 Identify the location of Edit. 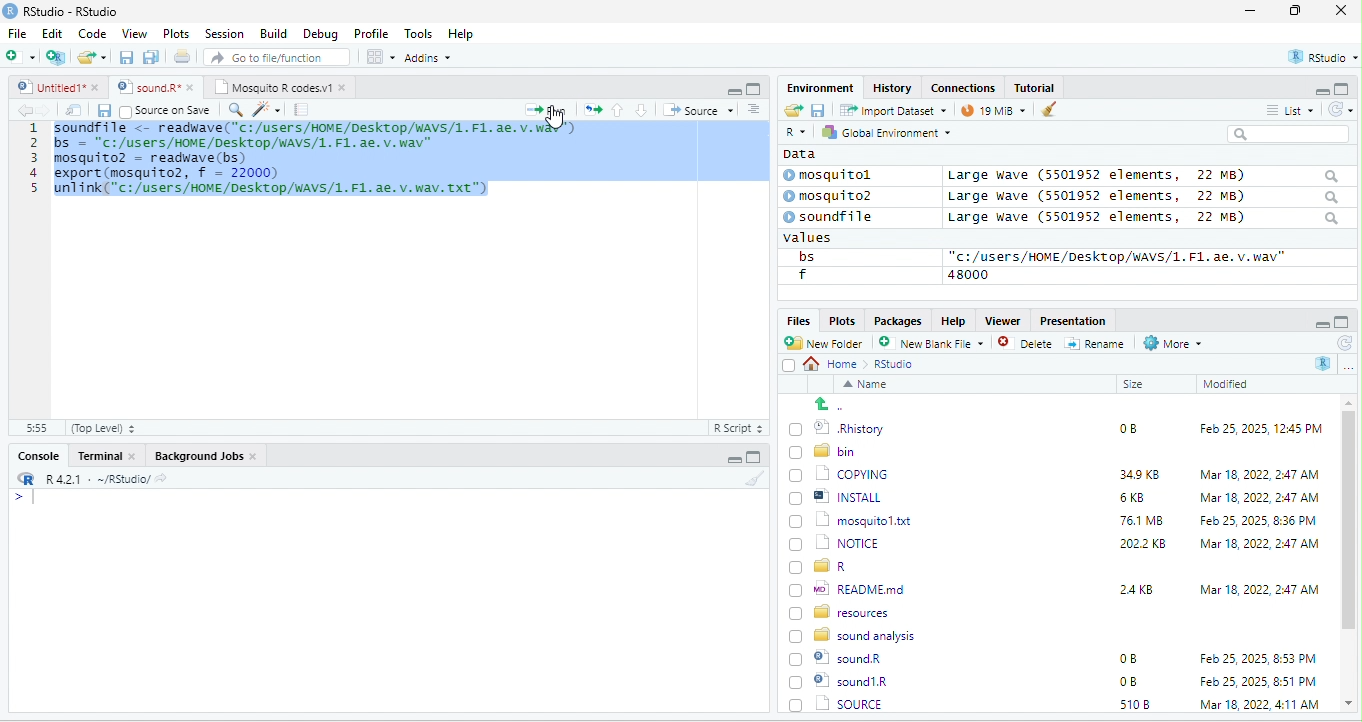
(54, 33).